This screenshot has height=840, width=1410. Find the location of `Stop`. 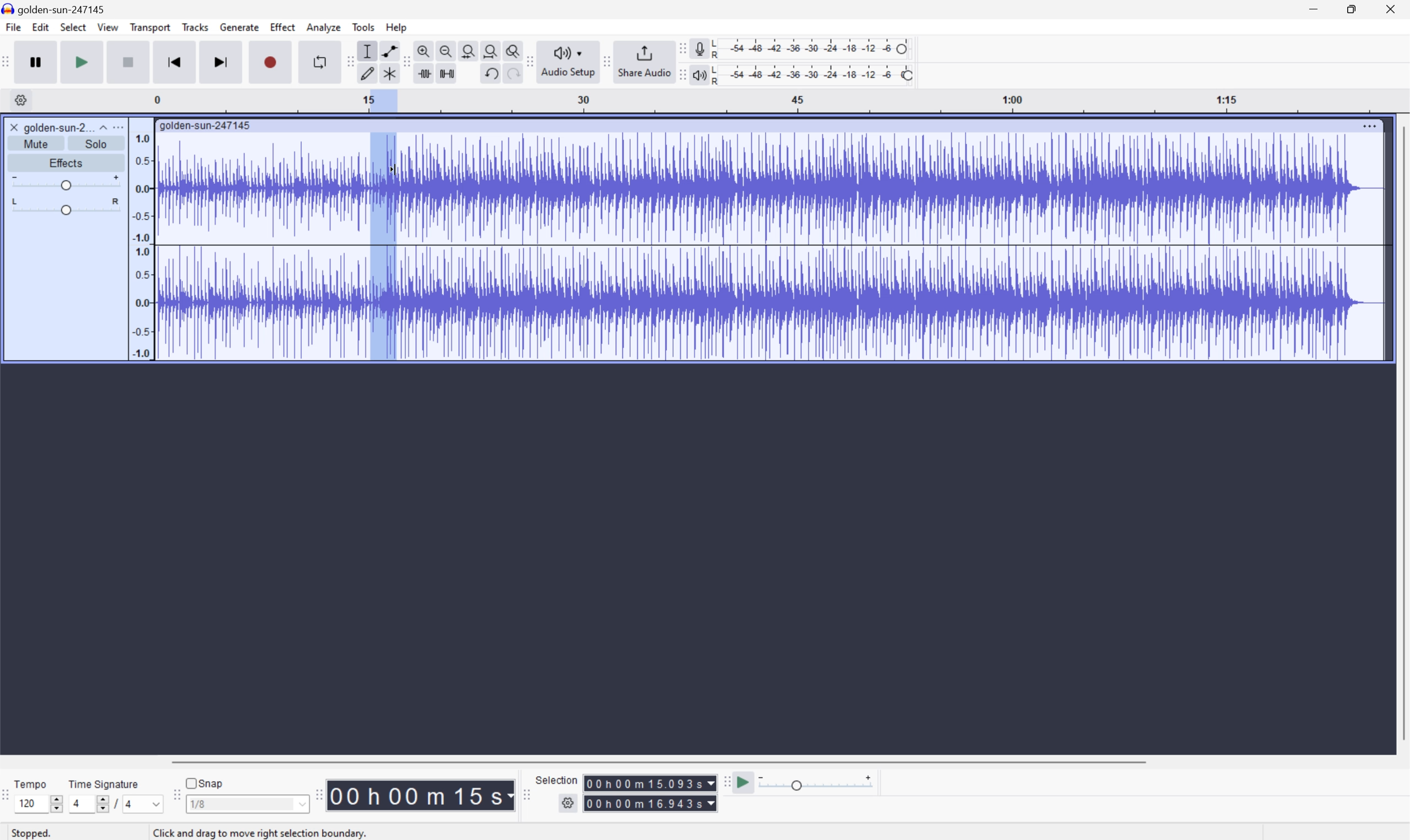

Stop is located at coordinates (130, 63).